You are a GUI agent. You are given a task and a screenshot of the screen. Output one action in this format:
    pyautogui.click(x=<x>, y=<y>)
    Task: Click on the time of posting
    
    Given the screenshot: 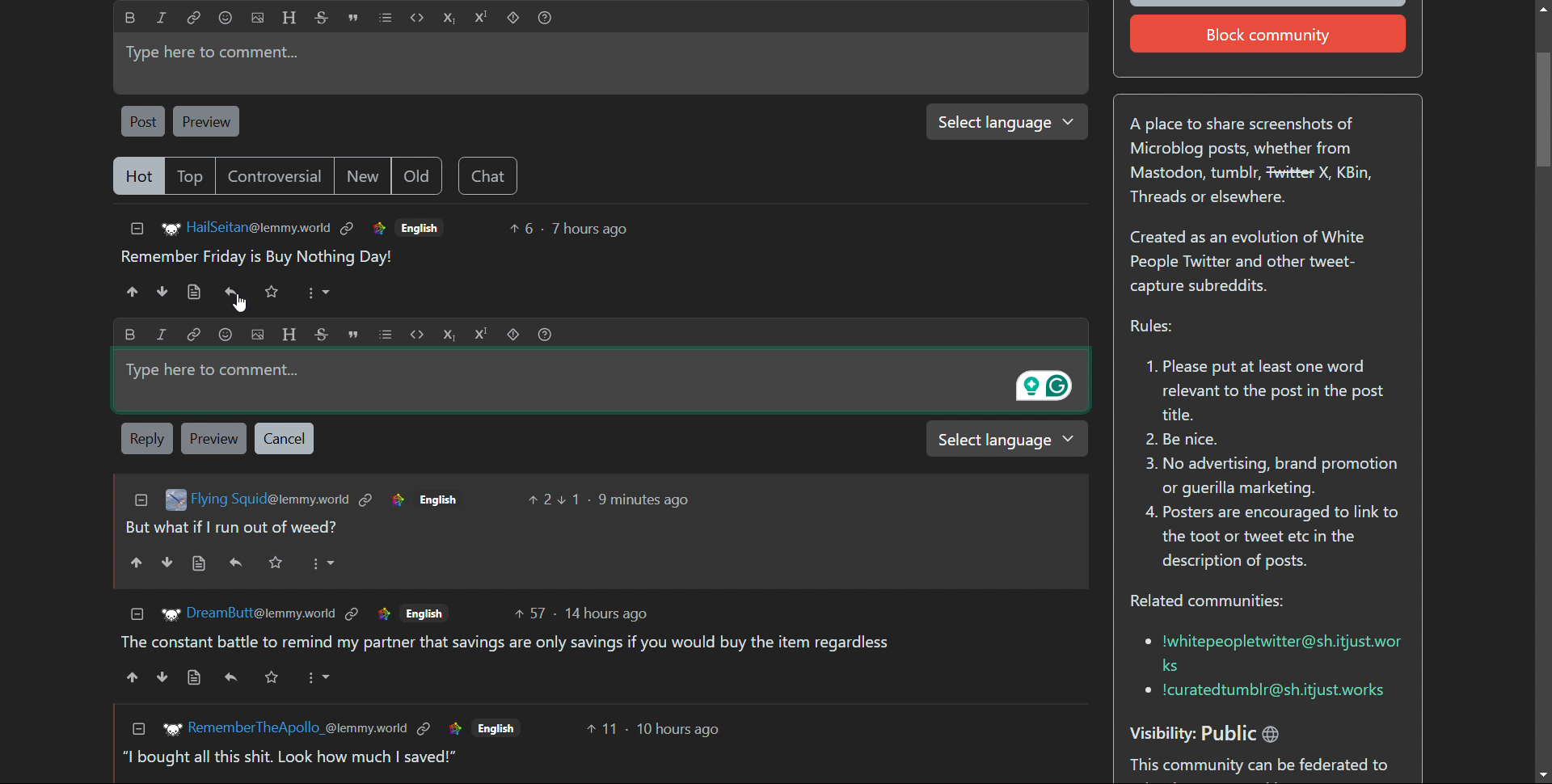 What is the action you would take?
    pyautogui.click(x=630, y=500)
    